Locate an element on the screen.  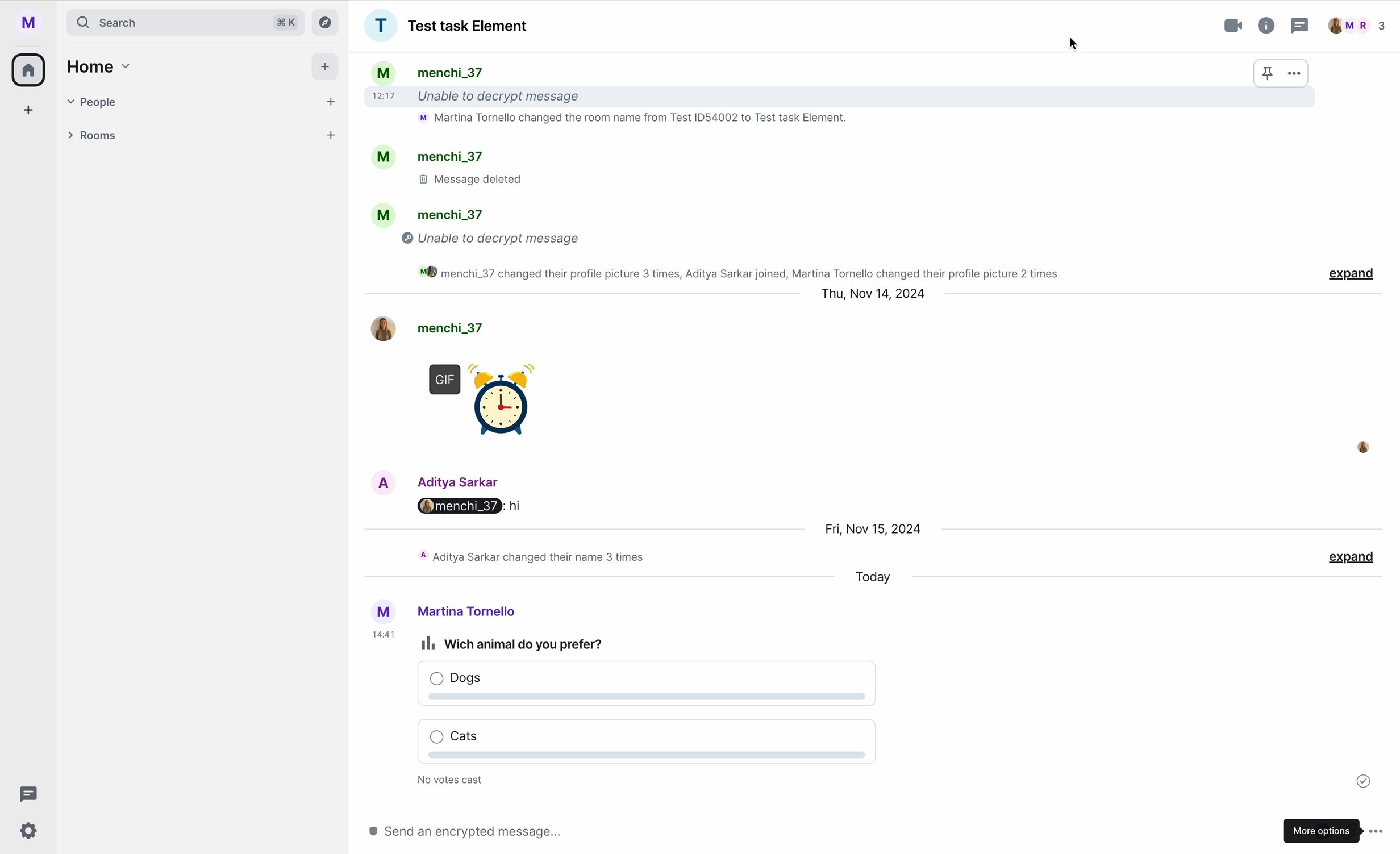
activity chat is located at coordinates (535, 556).